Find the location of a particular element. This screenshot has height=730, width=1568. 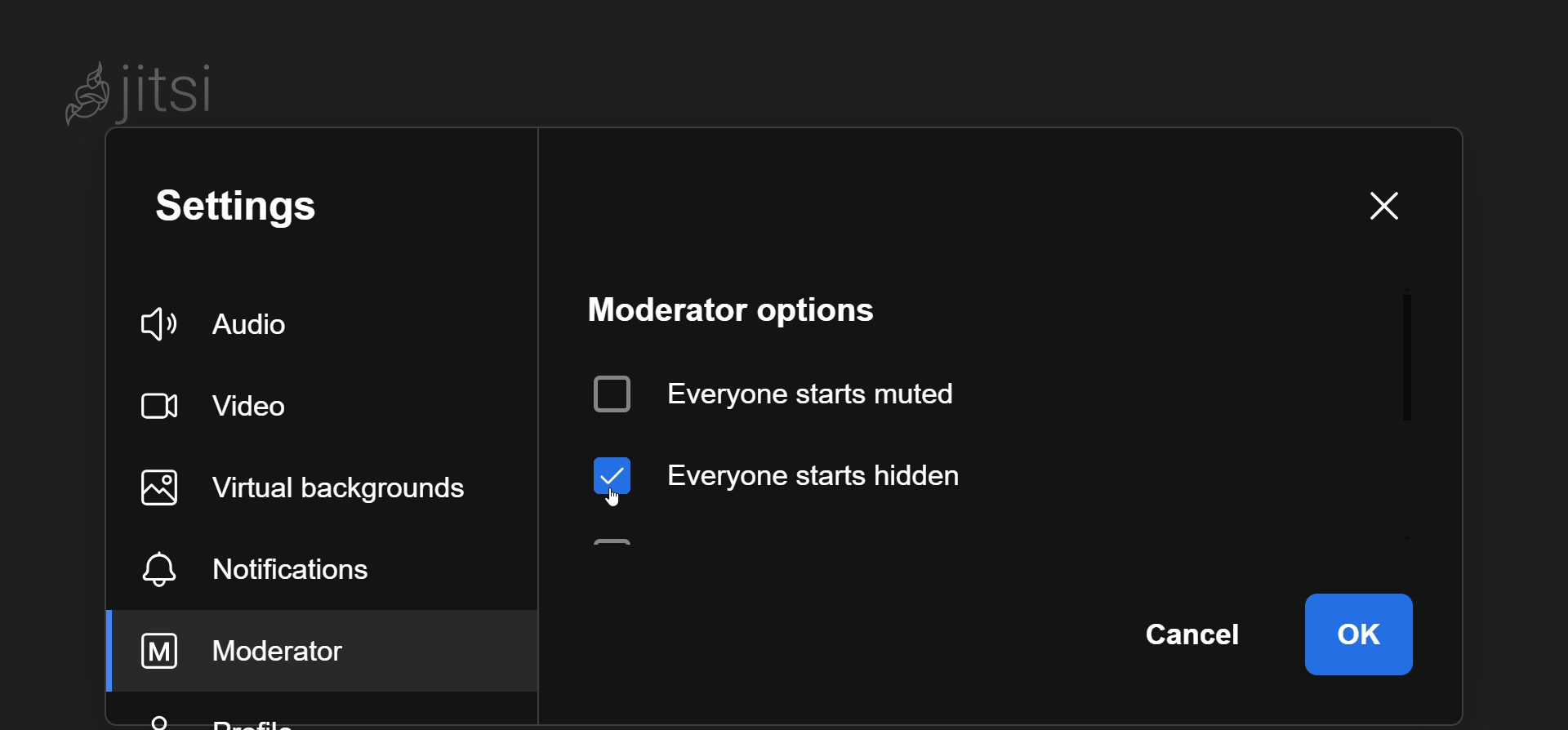

moderator option is located at coordinates (746, 306).